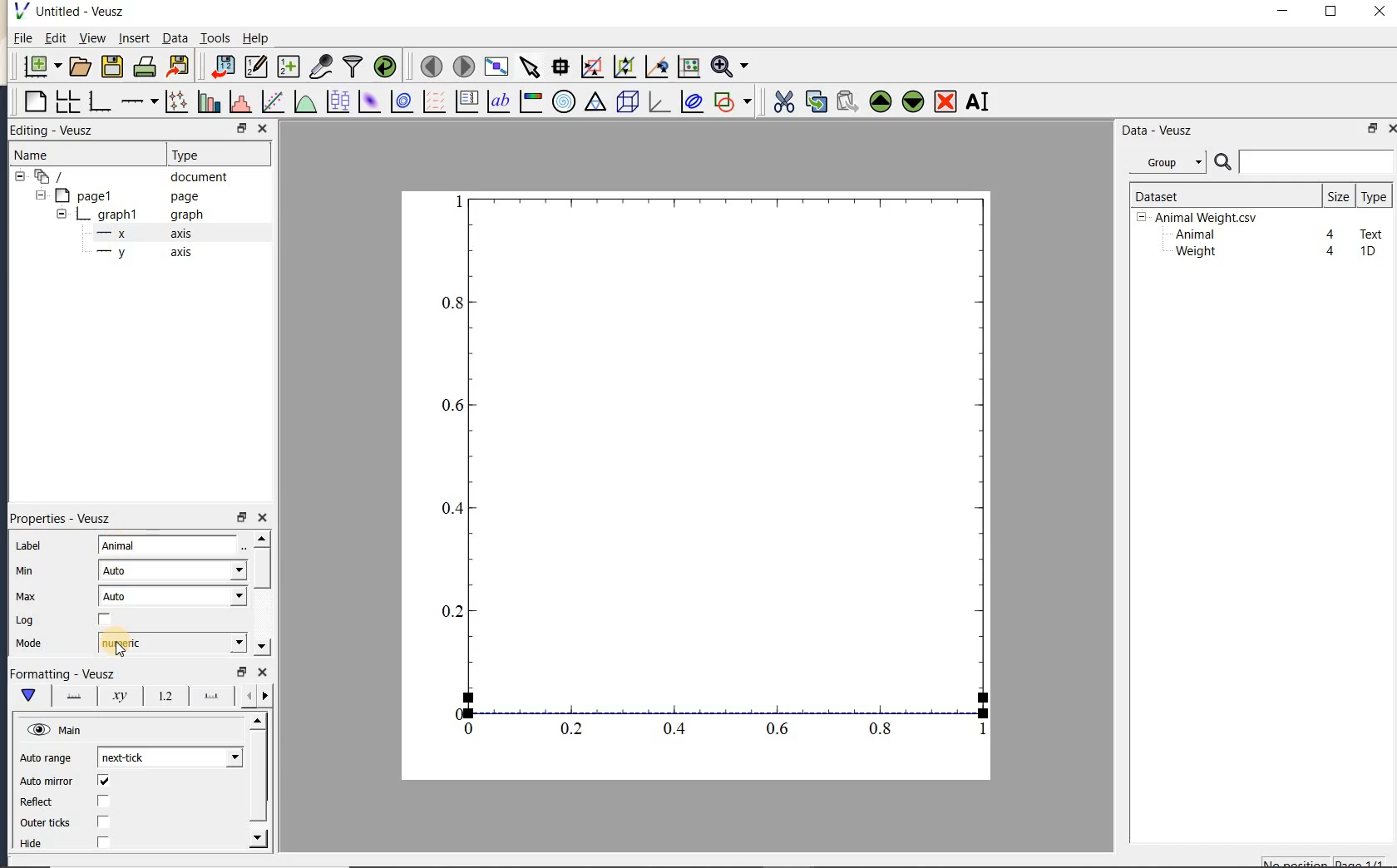  I want to click on Untitled-Veusz, so click(74, 12).